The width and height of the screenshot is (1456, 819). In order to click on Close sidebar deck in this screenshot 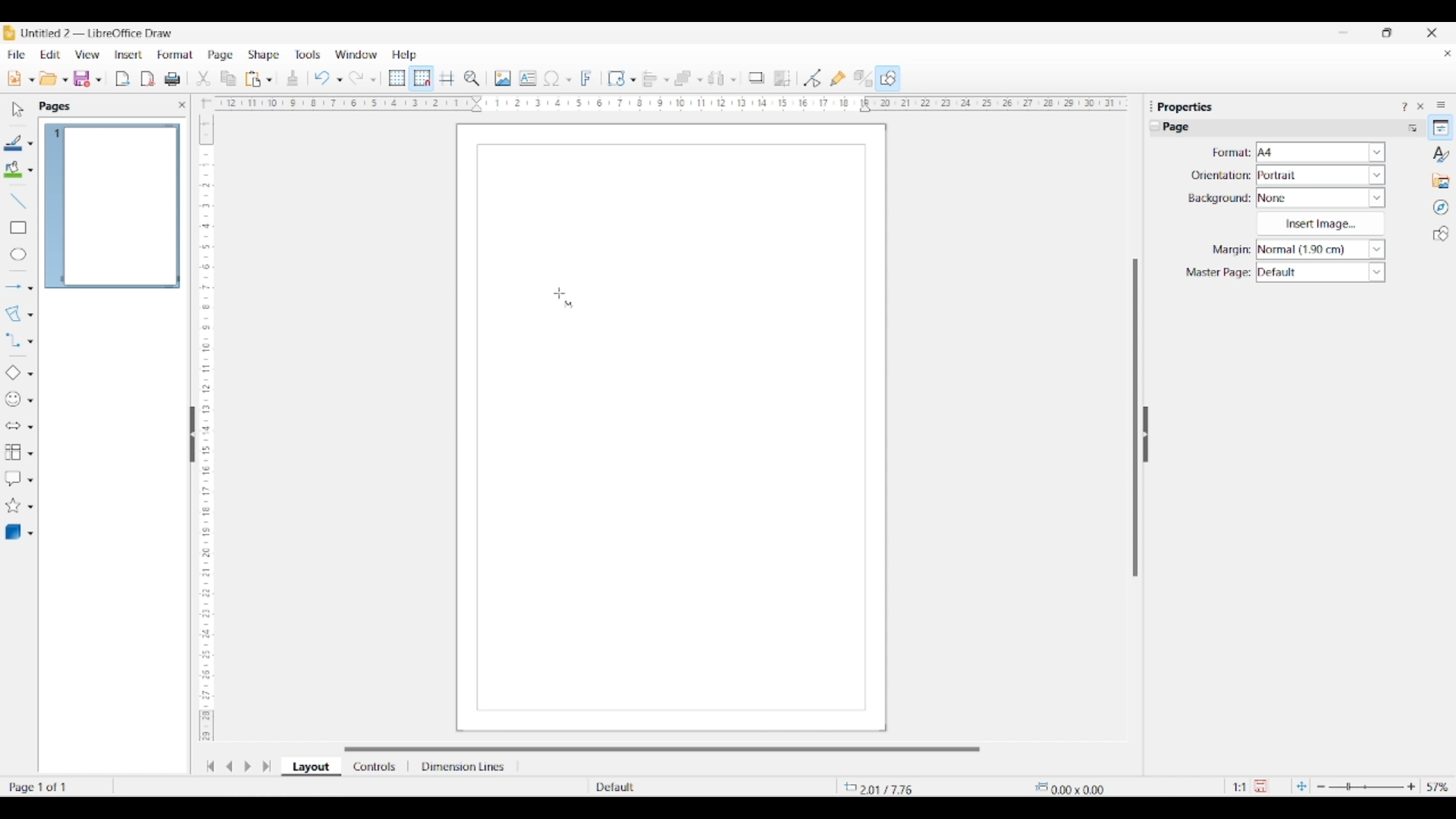, I will do `click(1420, 106)`.